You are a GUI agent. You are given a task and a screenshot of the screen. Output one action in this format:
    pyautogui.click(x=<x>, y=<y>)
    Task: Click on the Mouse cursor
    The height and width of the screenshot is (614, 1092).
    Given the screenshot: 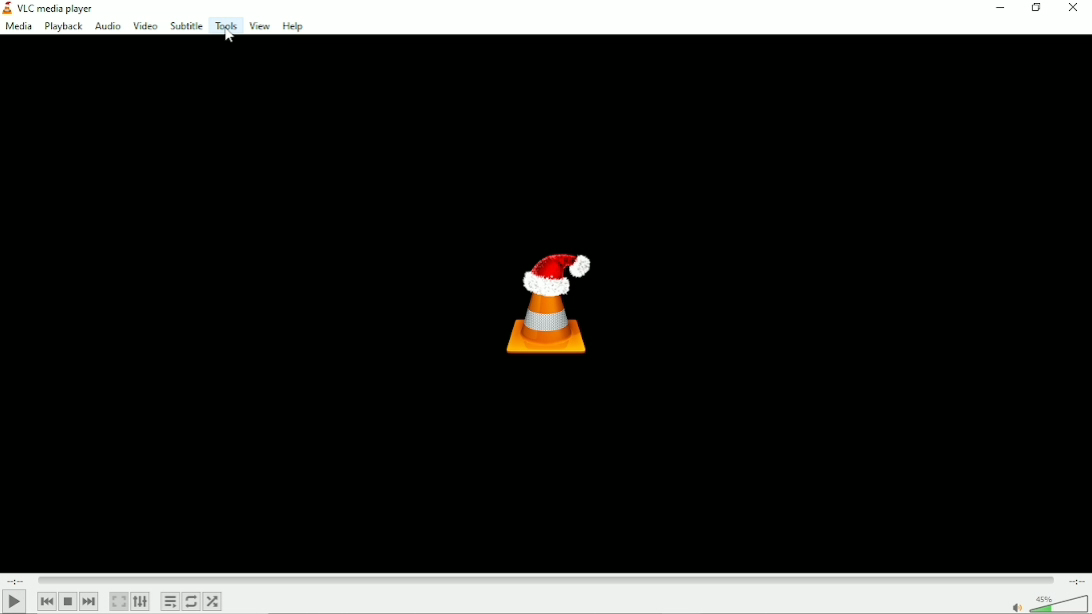 What is the action you would take?
    pyautogui.click(x=226, y=38)
    